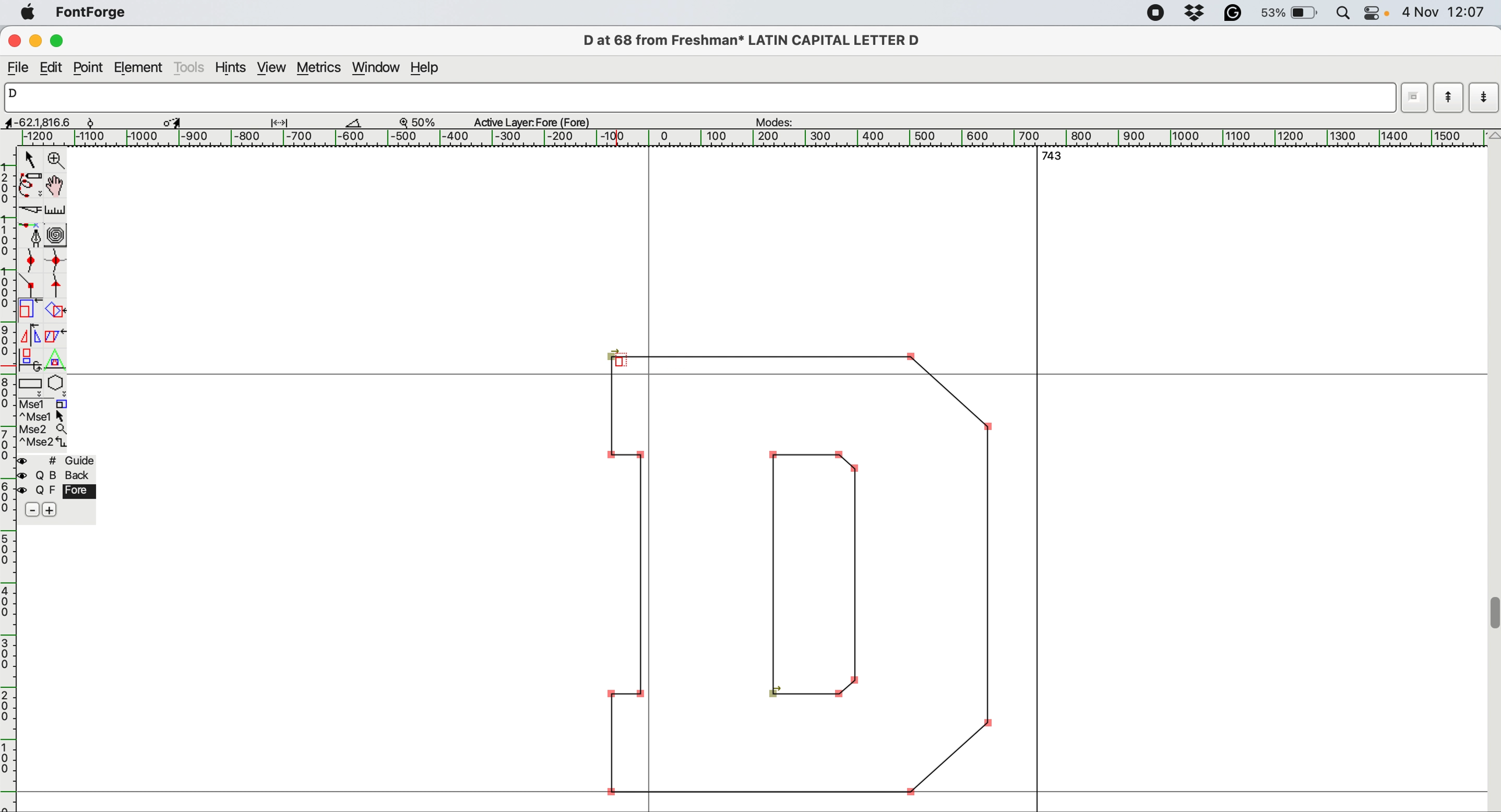 The width and height of the screenshot is (1501, 812). What do you see at coordinates (782, 122) in the screenshot?
I see `modes` at bounding box center [782, 122].